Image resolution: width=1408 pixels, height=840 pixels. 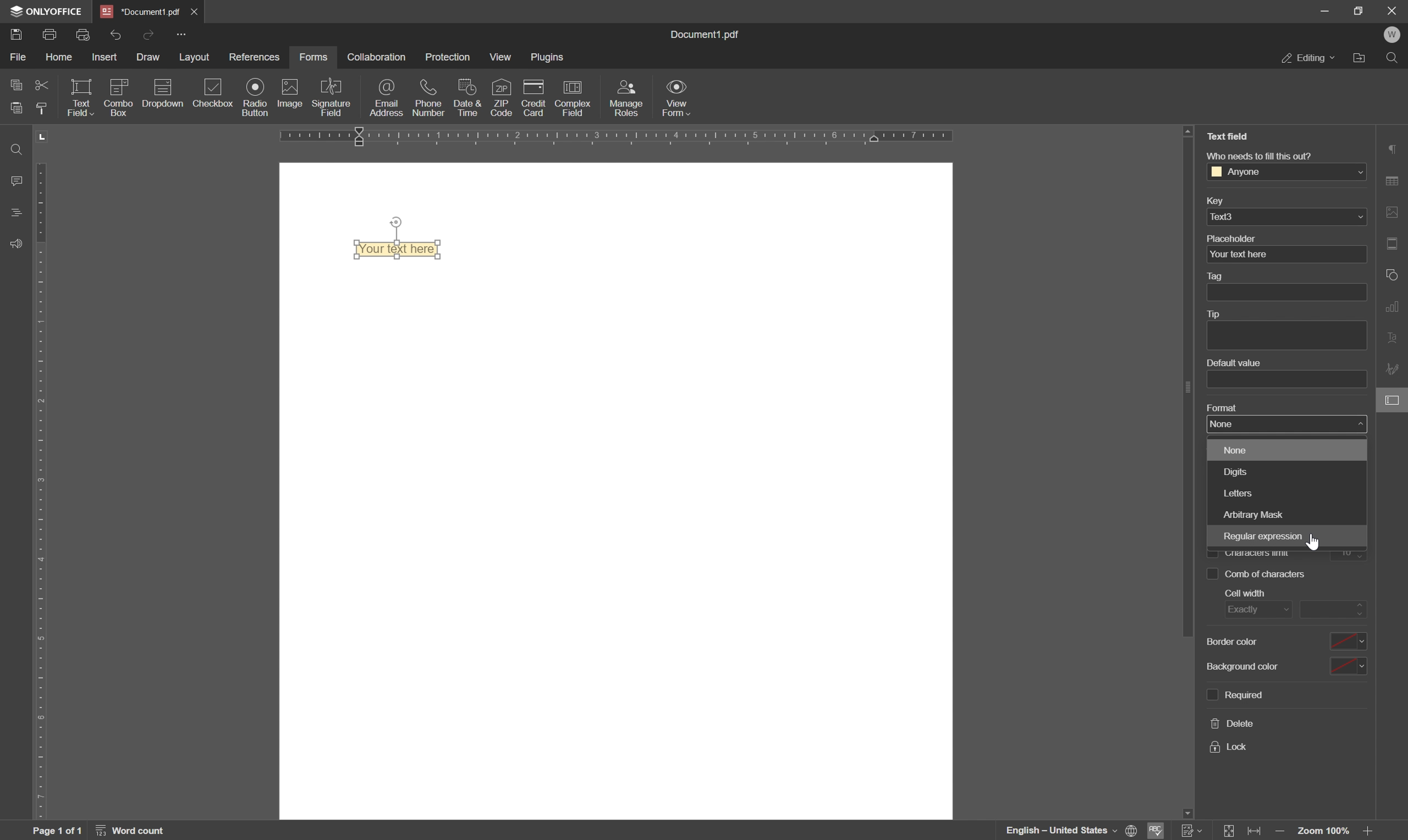 What do you see at coordinates (1227, 747) in the screenshot?
I see `lock` at bounding box center [1227, 747].